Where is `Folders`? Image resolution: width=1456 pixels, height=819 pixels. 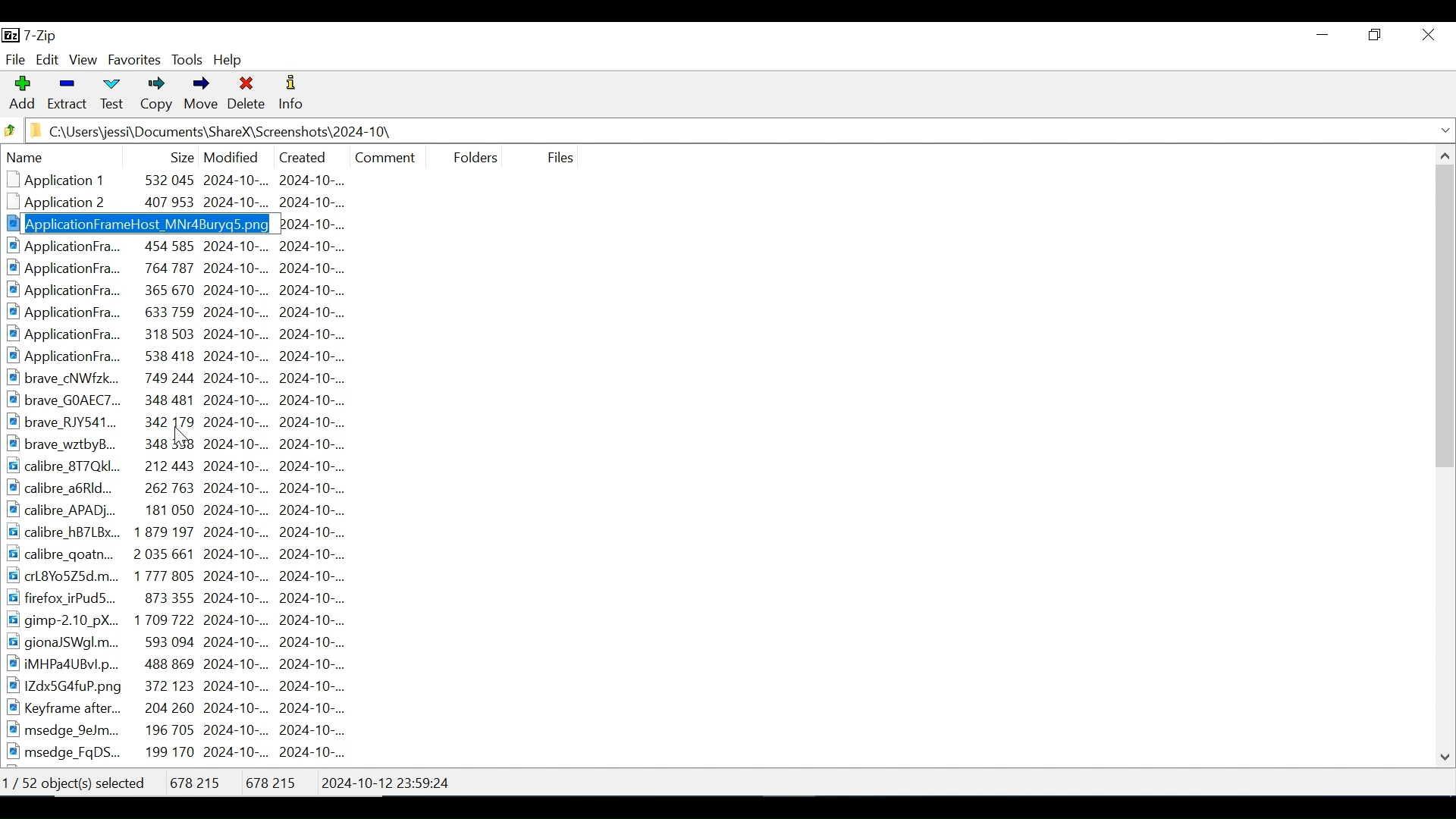 Folders is located at coordinates (471, 155).